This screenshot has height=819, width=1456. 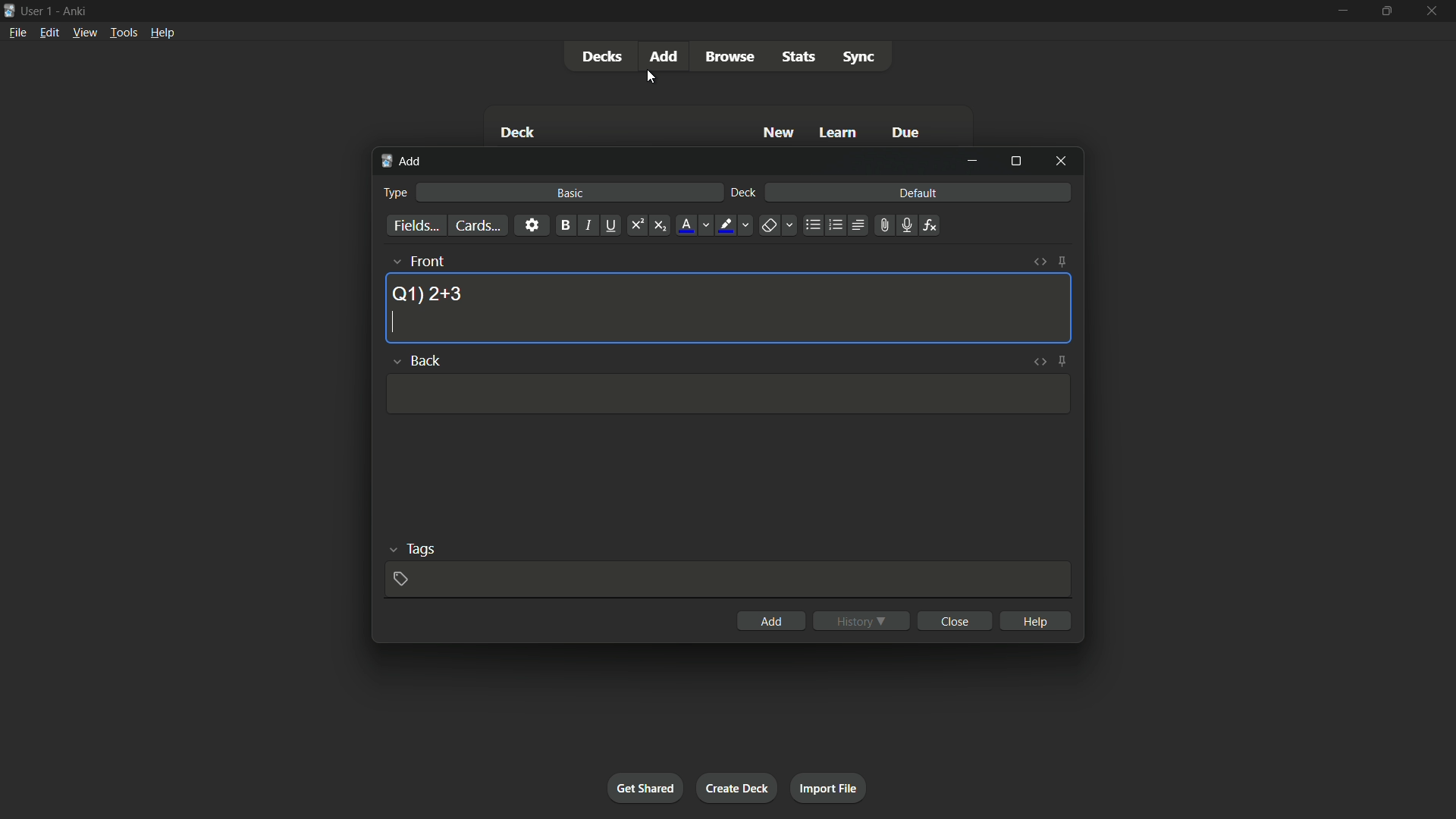 I want to click on close app, so click(x=1433, y=11).